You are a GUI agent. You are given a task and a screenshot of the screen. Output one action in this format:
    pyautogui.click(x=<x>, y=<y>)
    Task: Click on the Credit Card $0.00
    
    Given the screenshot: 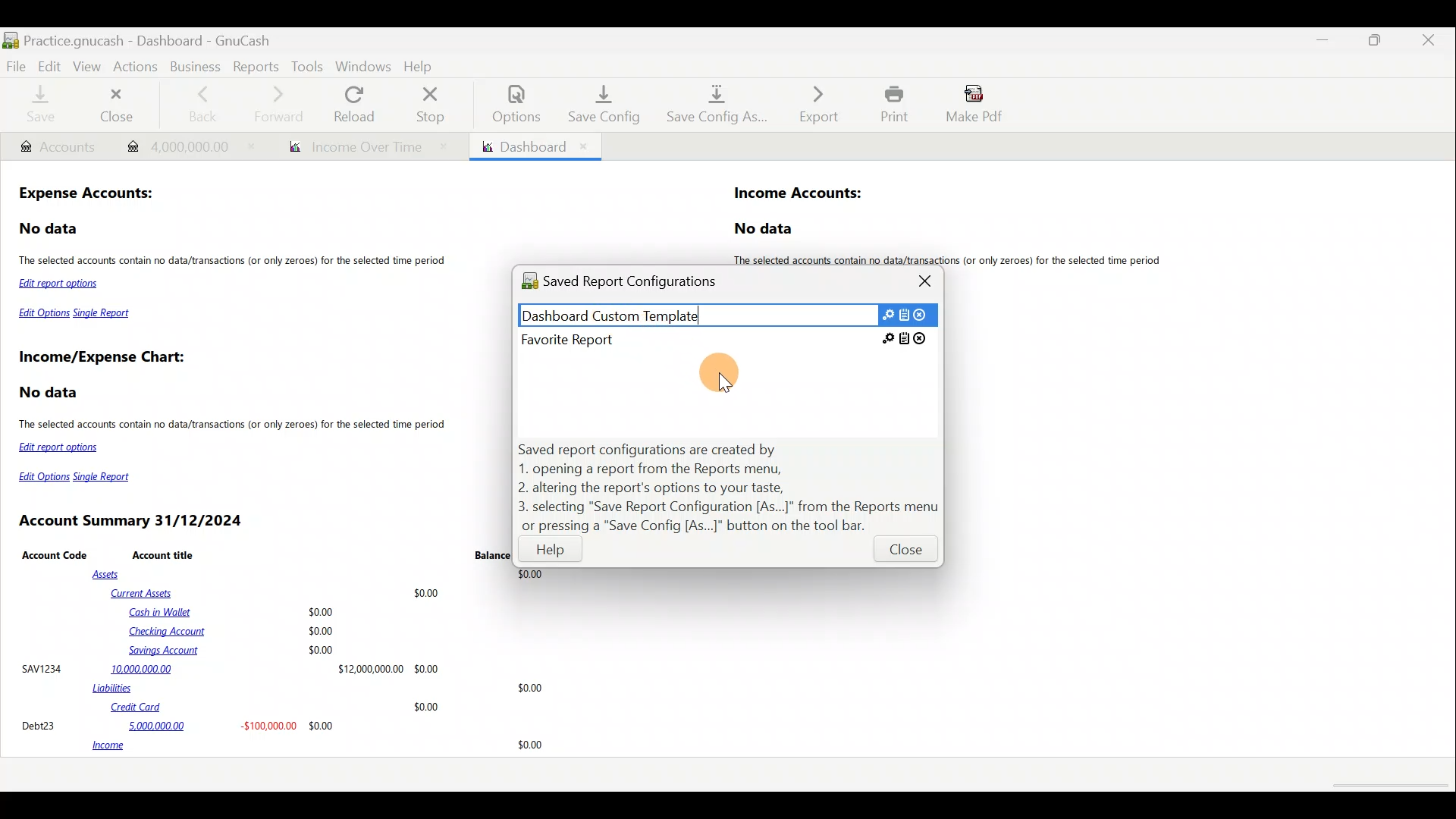 What is the action you would take?
    pyautogui.click(x=276, y=708)
    